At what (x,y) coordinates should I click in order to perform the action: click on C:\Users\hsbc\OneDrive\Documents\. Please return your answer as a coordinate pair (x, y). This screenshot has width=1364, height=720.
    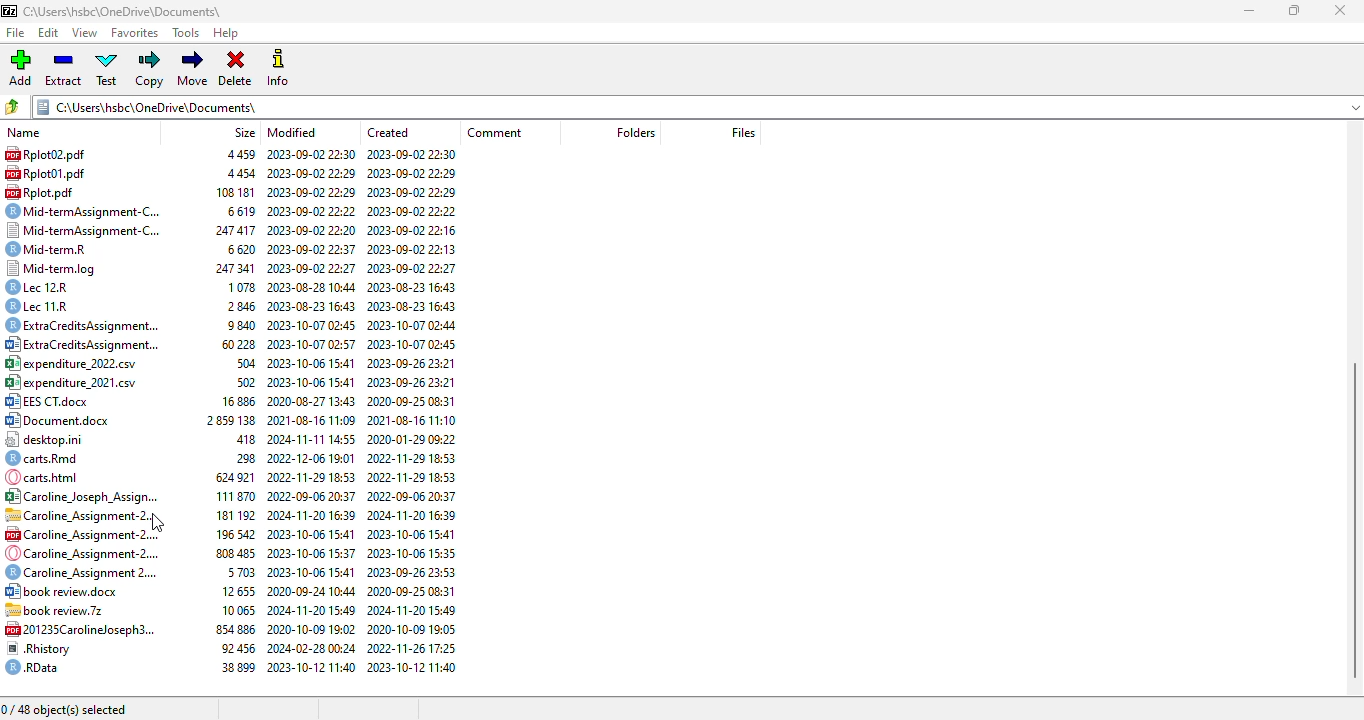
    Looking at the image, I should click on (698, 107).